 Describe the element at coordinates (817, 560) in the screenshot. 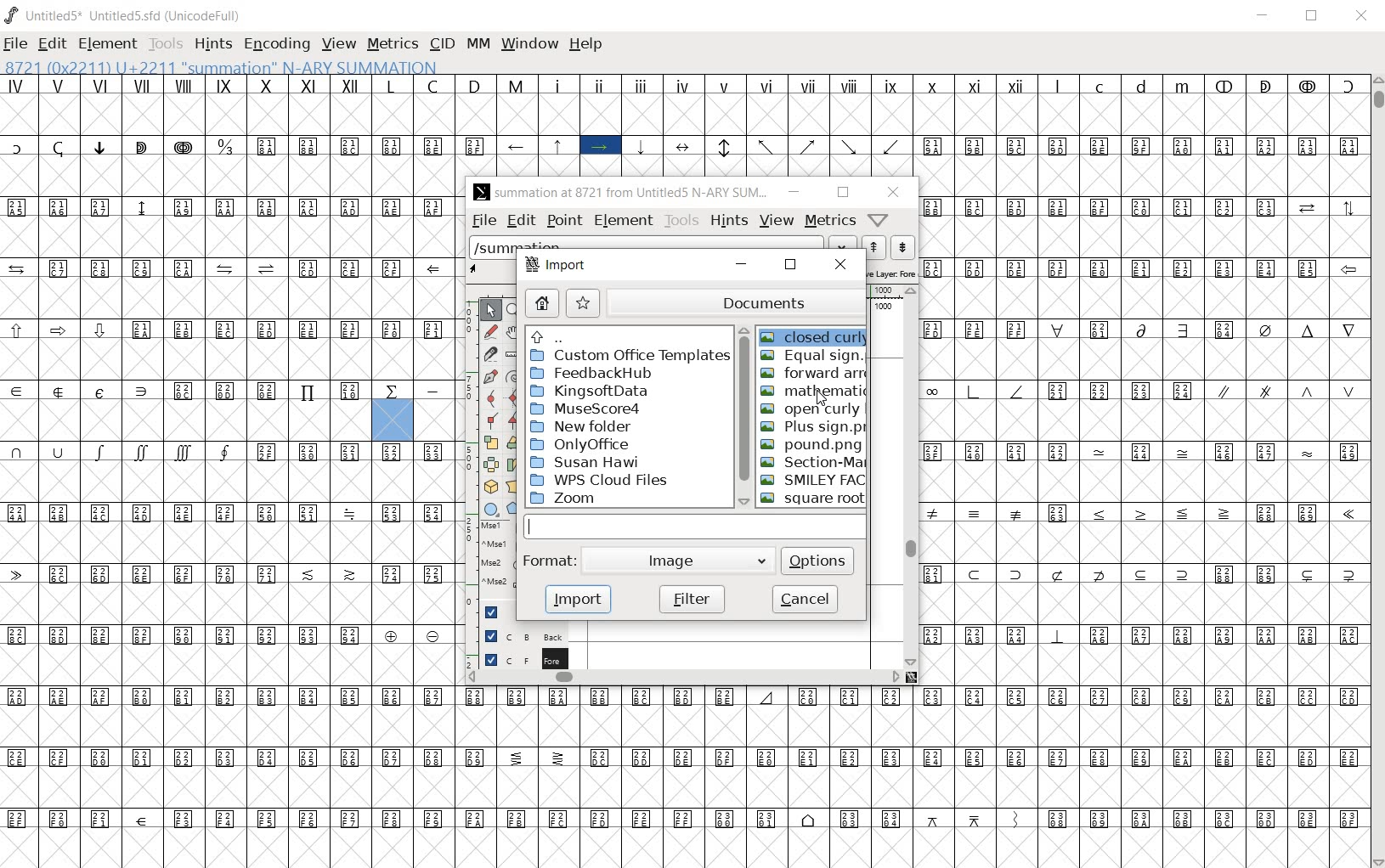

I see `options` at that location.